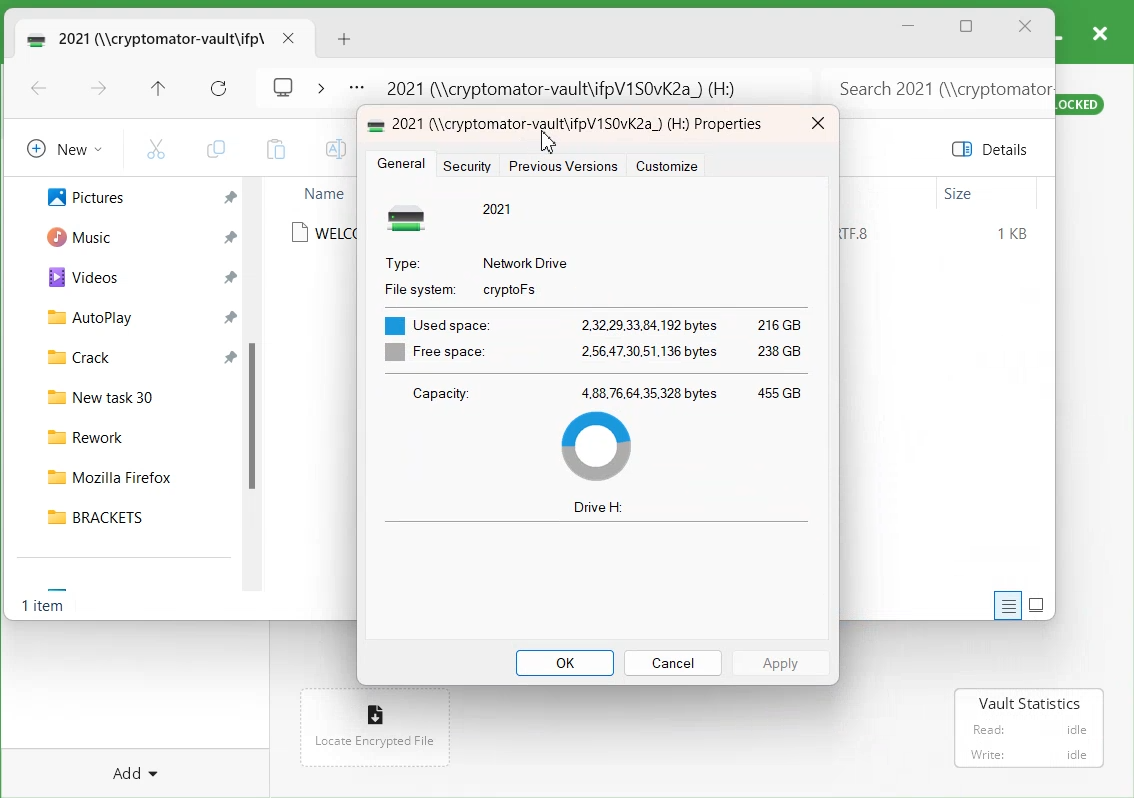 This screenshot has height=798, width=1134. Describe the element at coordinates (568, 84) in the screenshot. I see `Path Address` at that location.